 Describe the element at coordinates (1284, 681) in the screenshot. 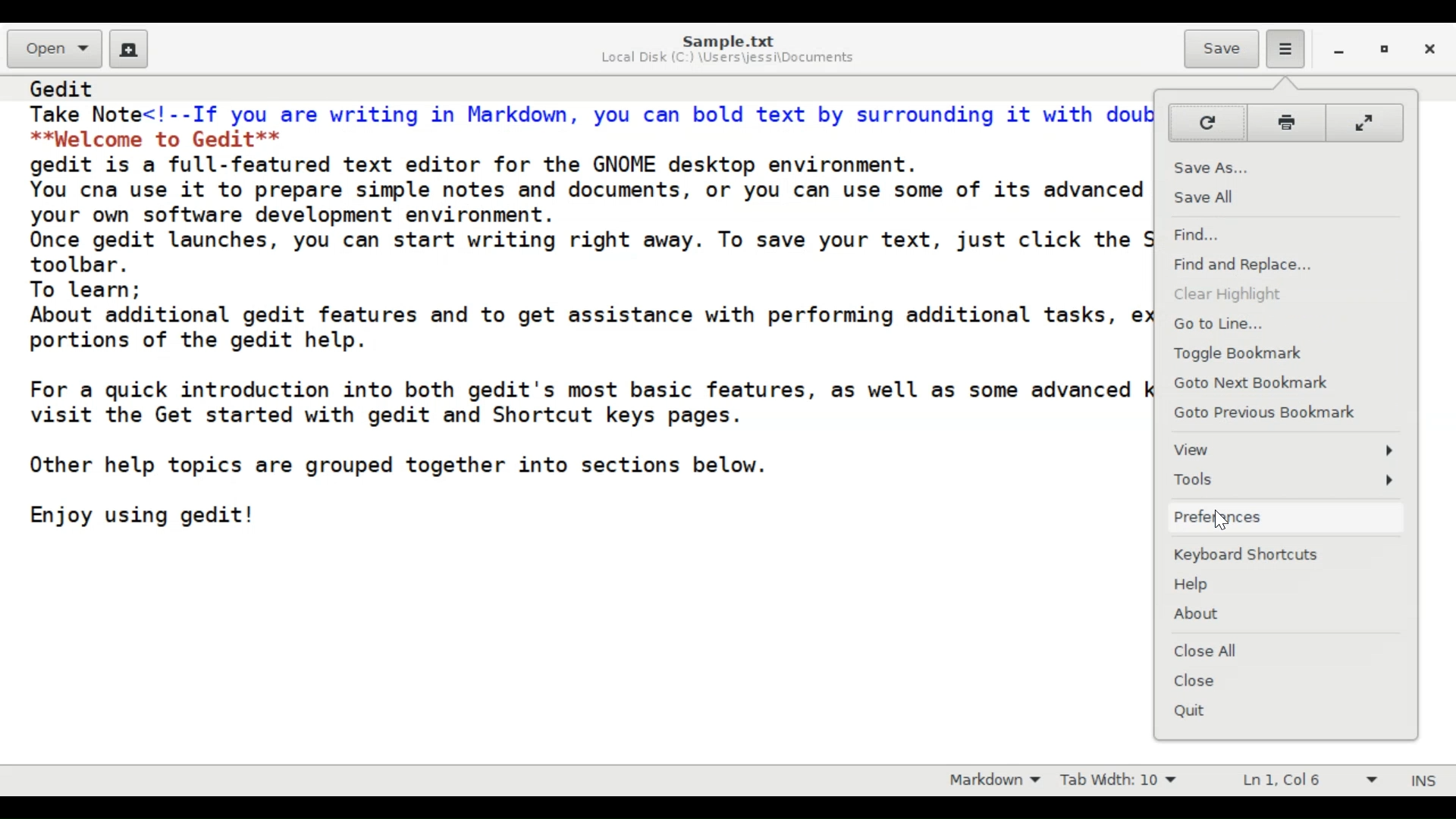

I see `Close` at that location.